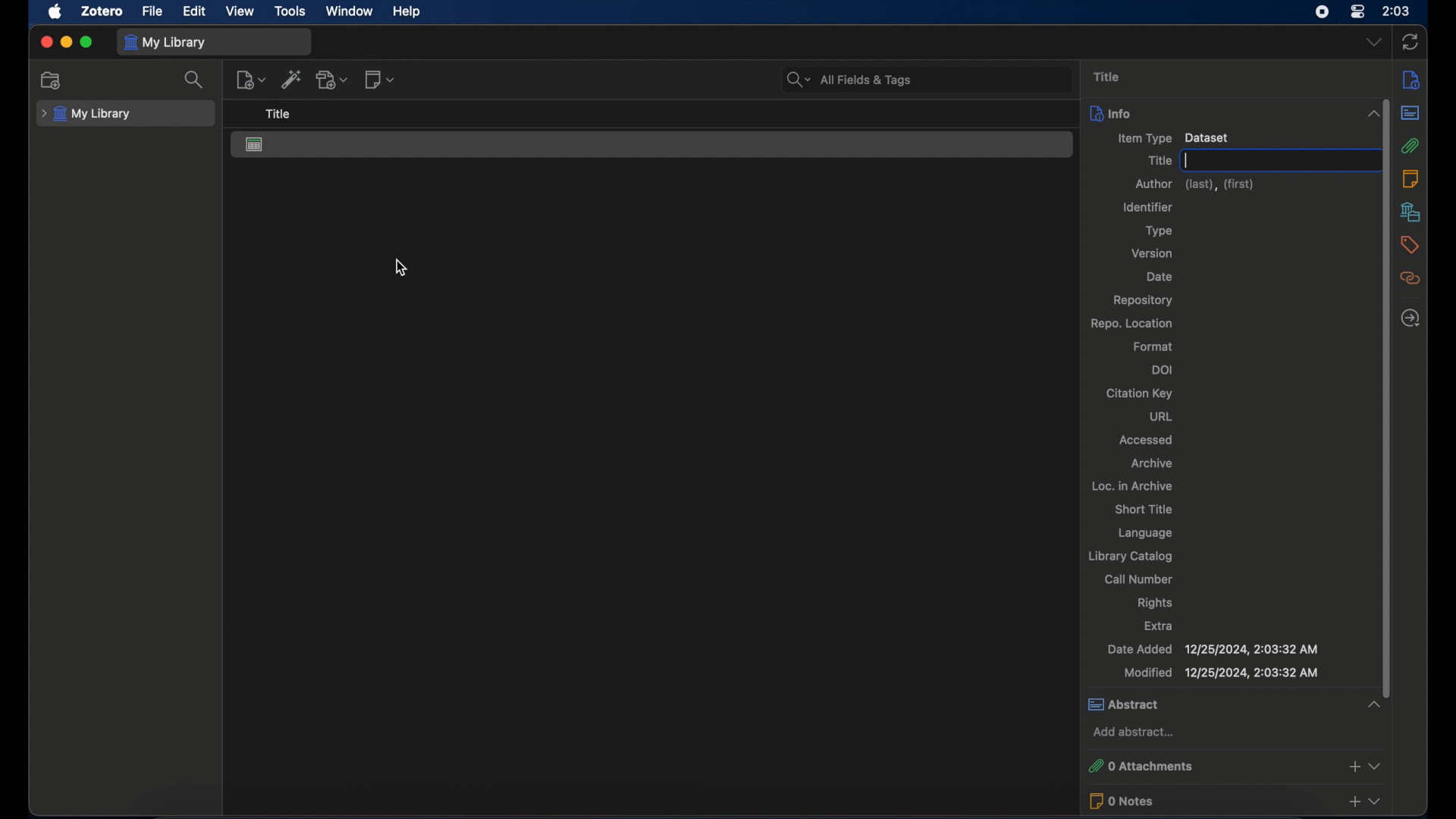 This screenshot has height=819, width=1456. What do you see at coordinates (87, 42) in the screenshot?
I see `maximize` at bounding box center [87, 42].